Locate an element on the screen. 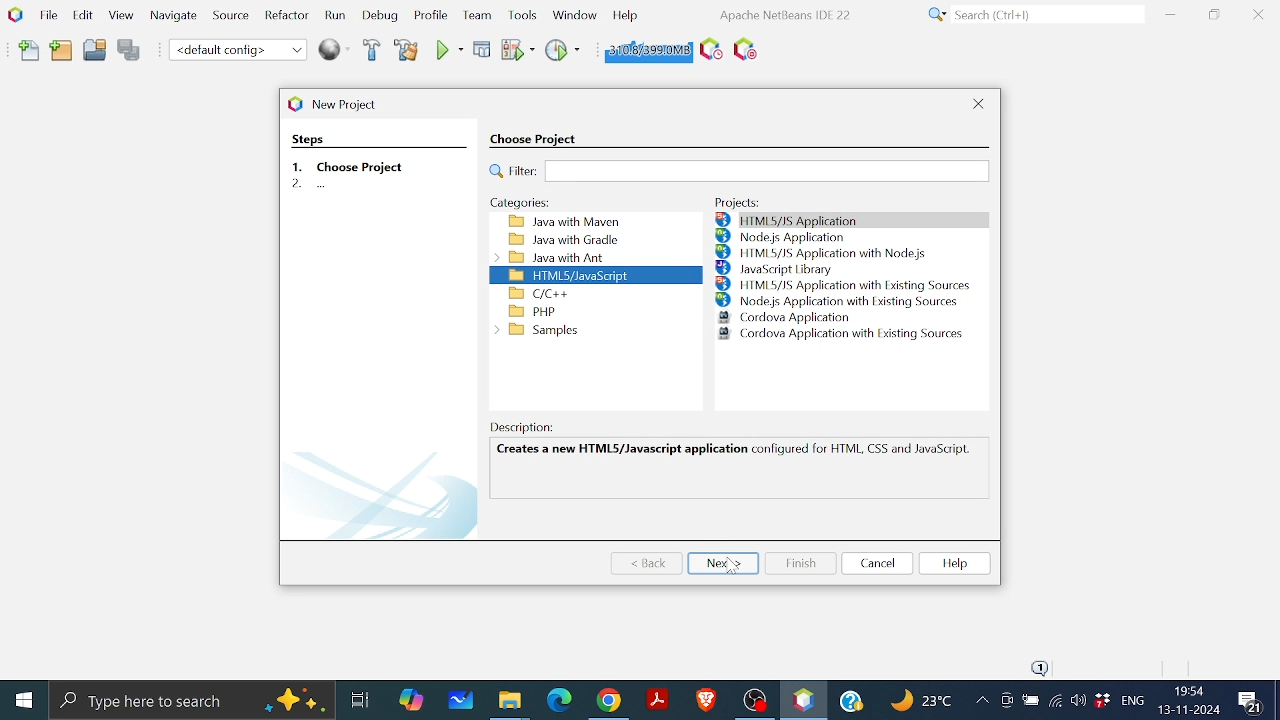 This screenshot has width=1280, height=720. Profile project is located at coordinates (562, 49).